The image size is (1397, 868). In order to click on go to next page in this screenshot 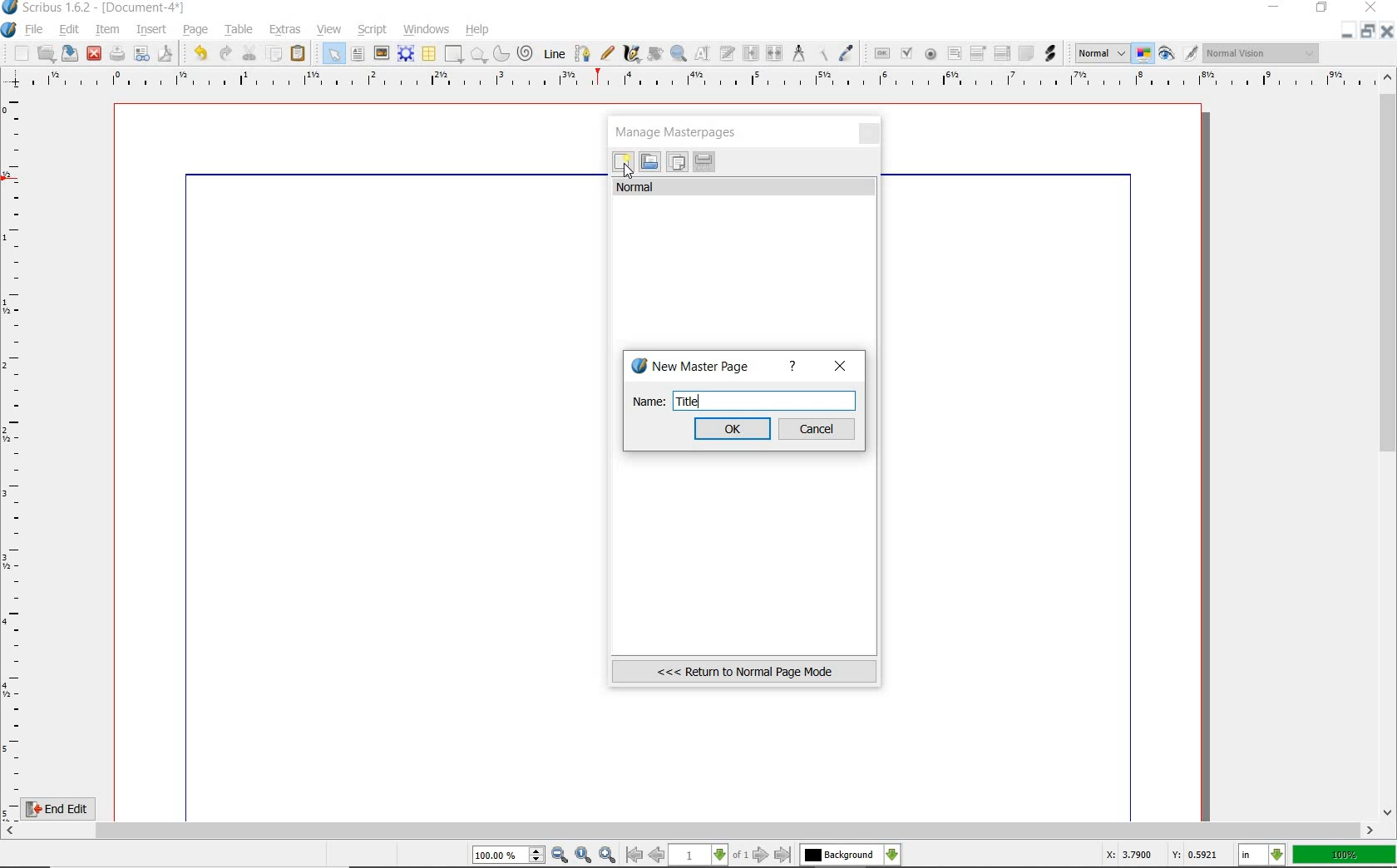, I will do `click(763, 855)`.